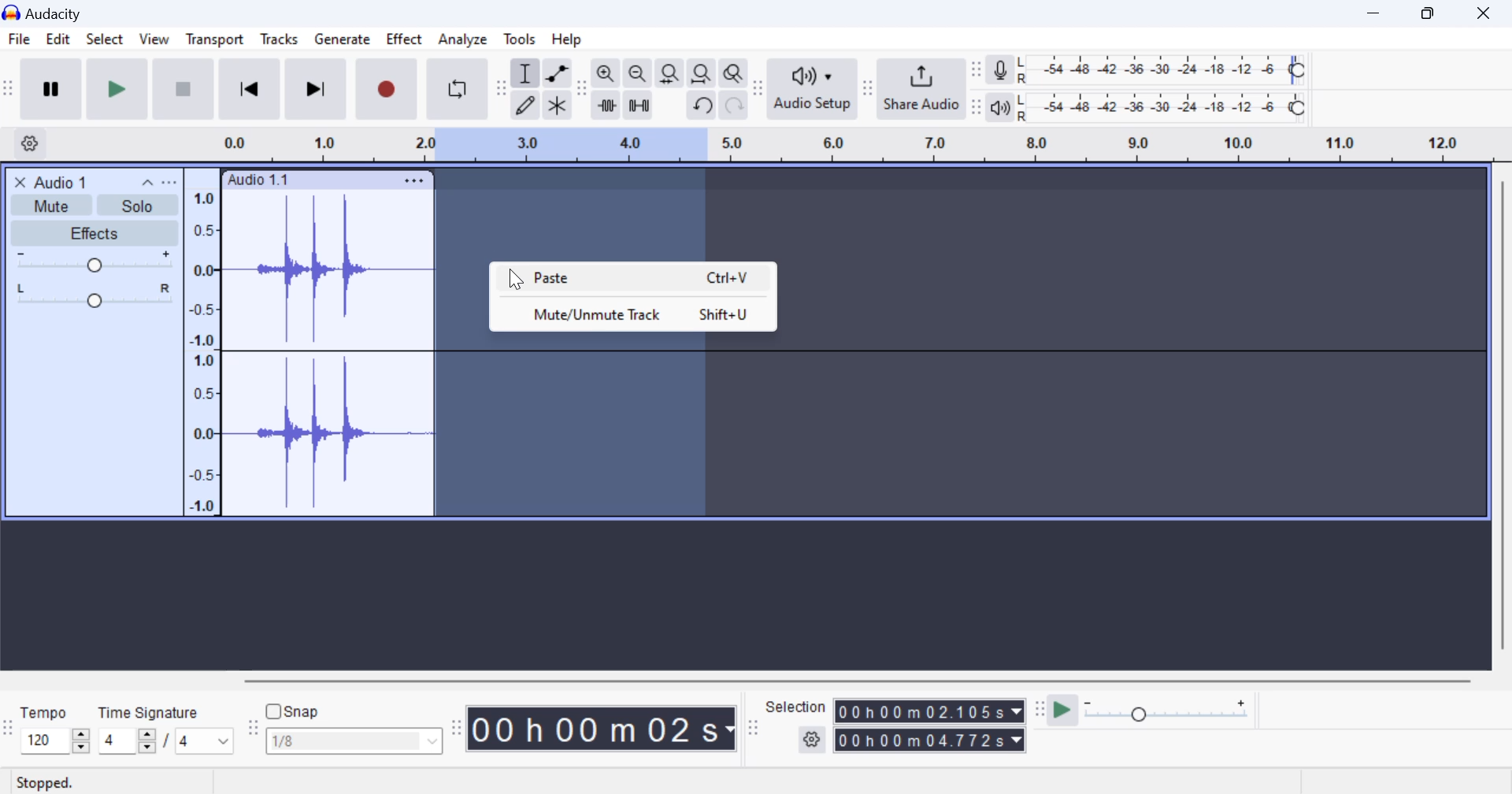  I want to click on trim audio outside select, so click(607, 105).